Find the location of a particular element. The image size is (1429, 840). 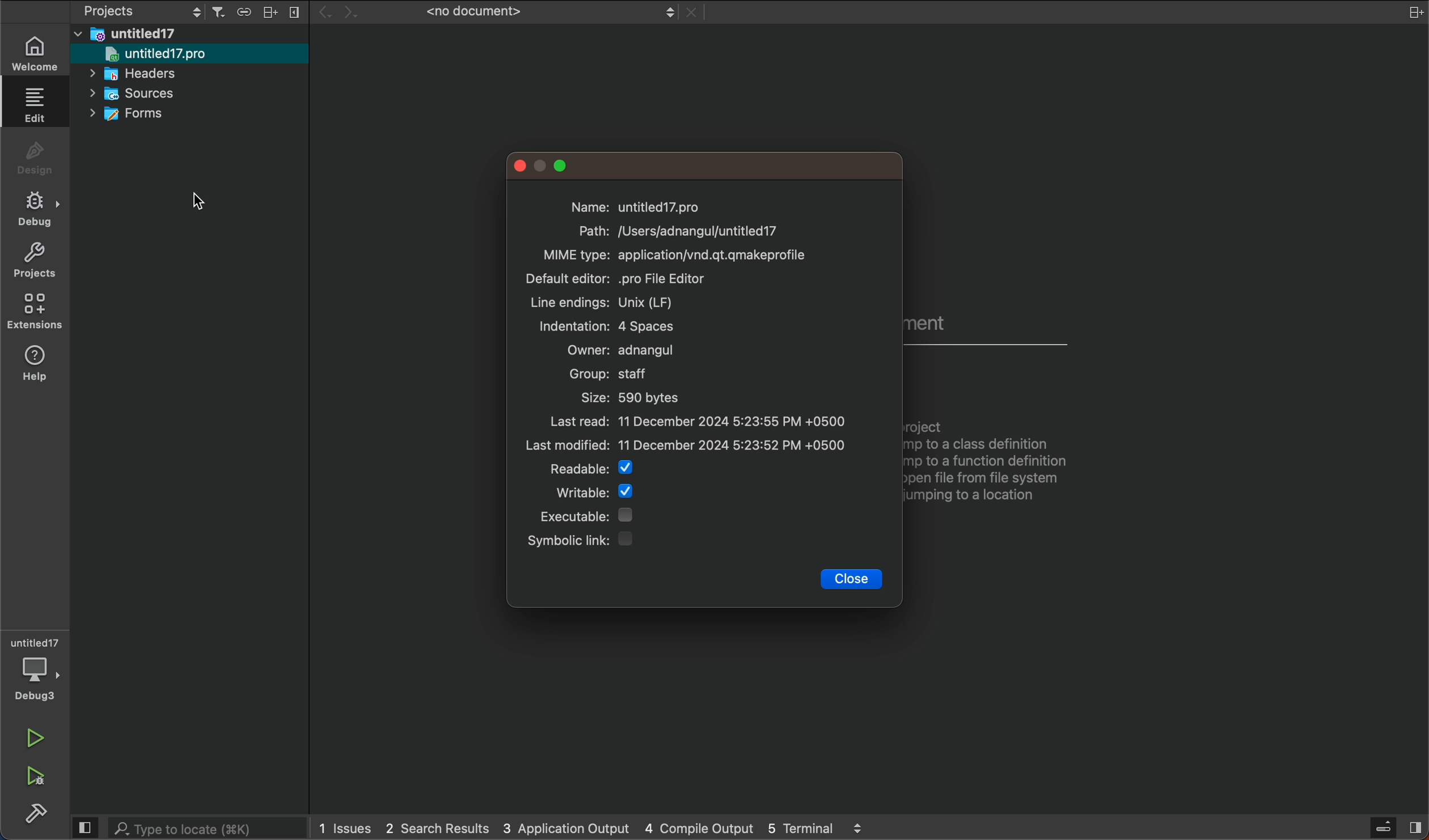

run and debug is located at coordinates (41, 777).